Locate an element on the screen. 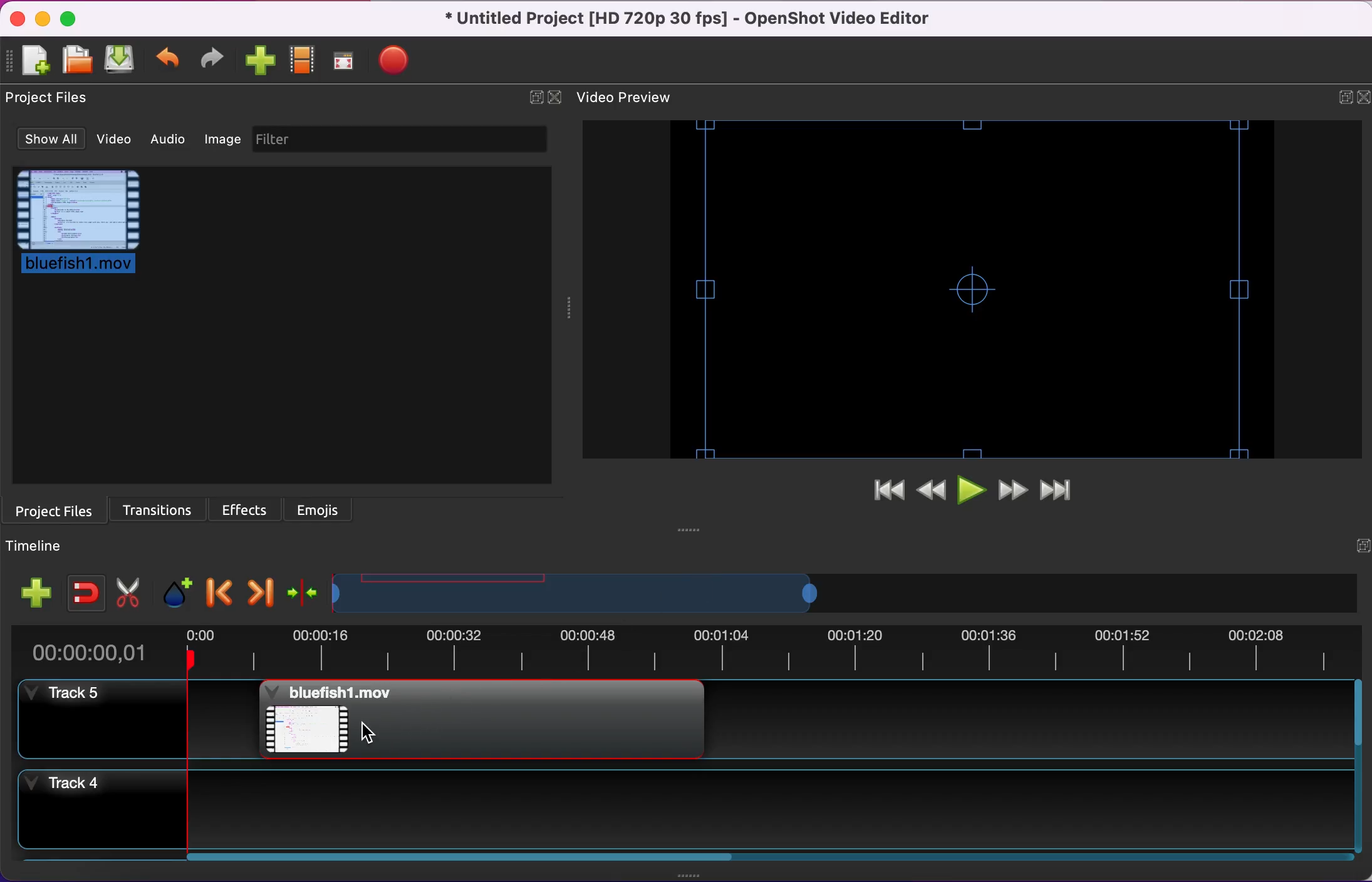 This screenshot has width=1372, height=882. next marker is located at coordinates (263, 595).